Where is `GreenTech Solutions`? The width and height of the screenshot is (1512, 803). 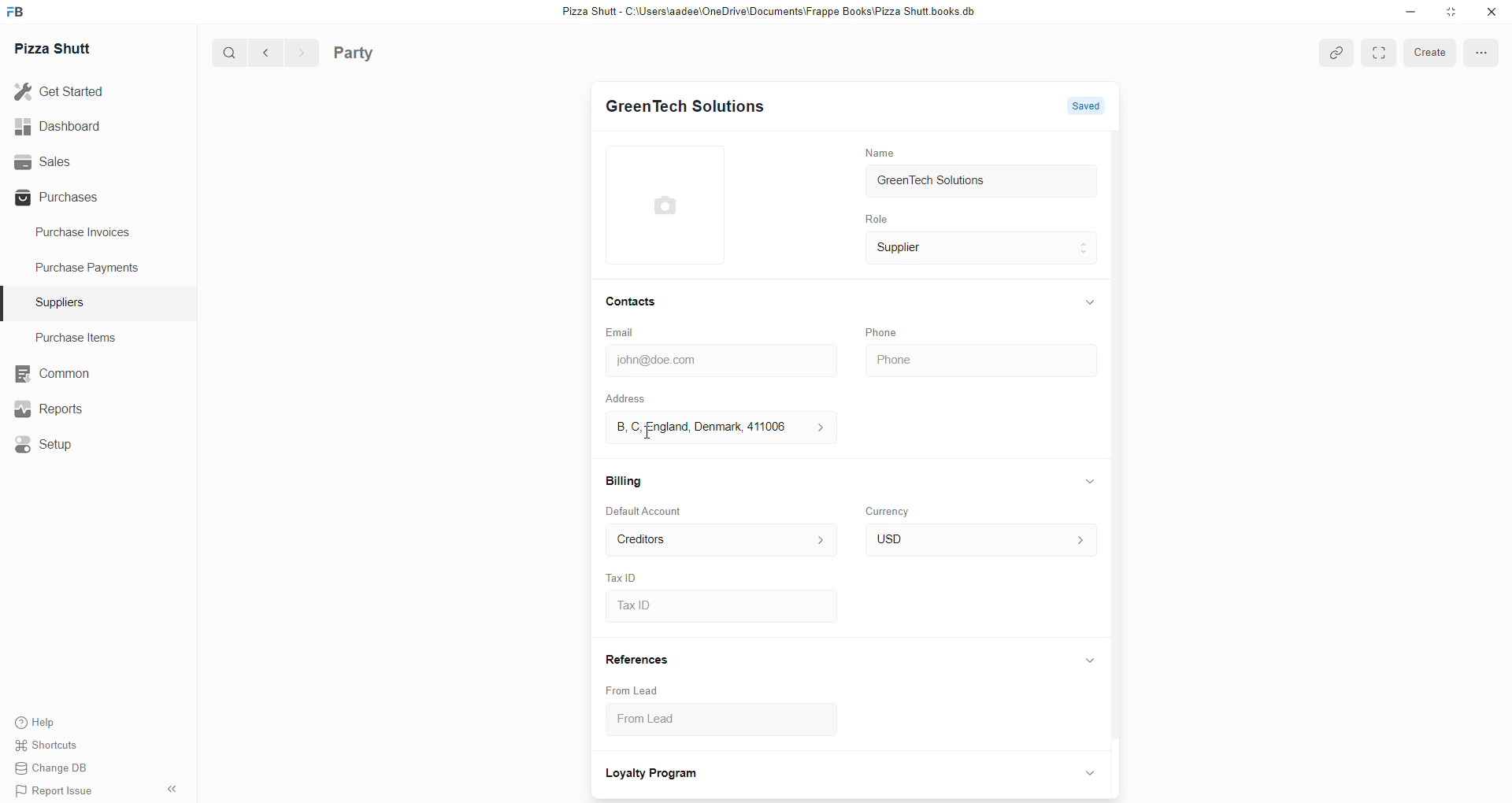 GreenTech Solutions is located at coordinates (981, 183).